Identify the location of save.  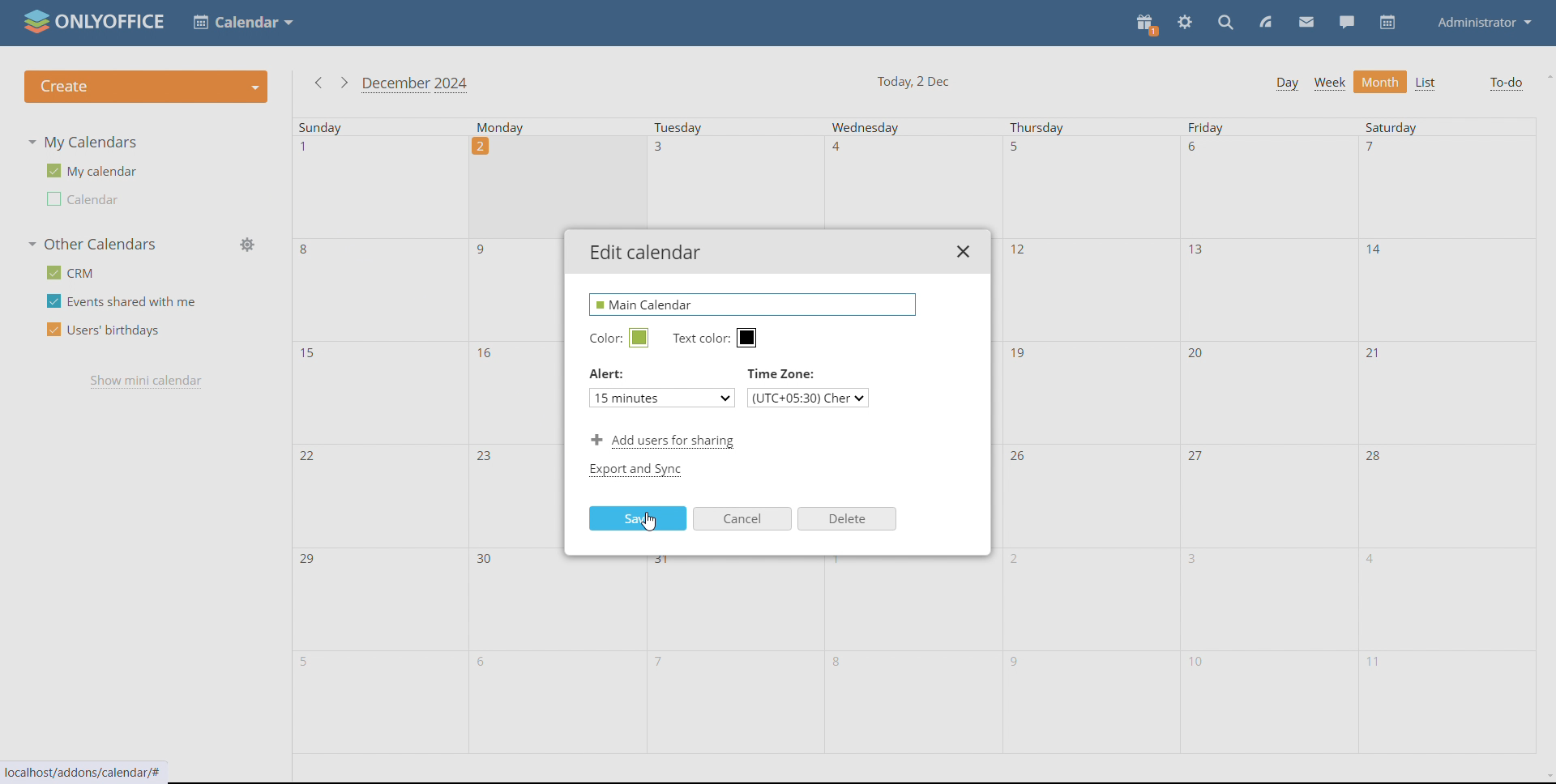
(636, 518).